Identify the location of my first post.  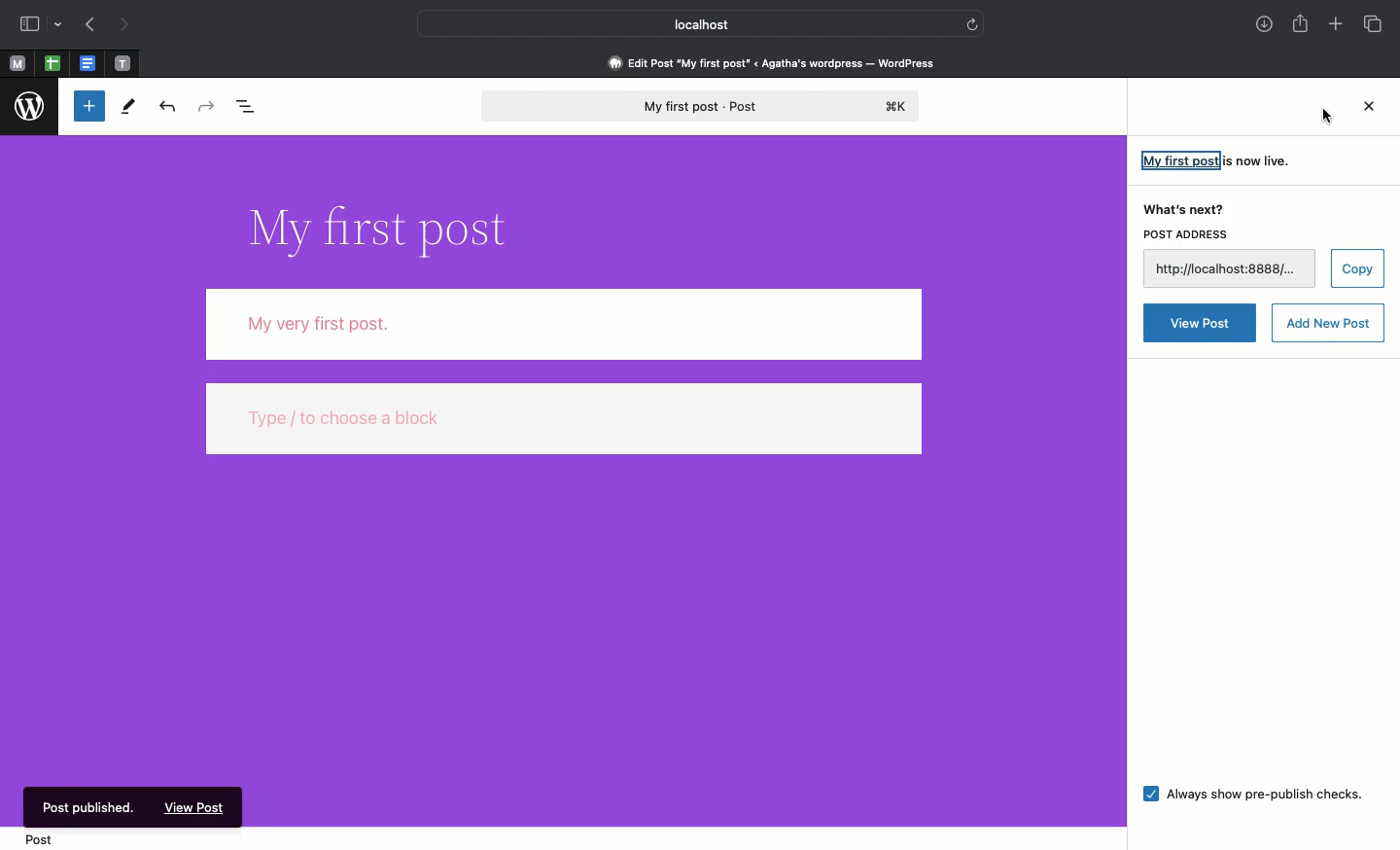
(1180, 160).